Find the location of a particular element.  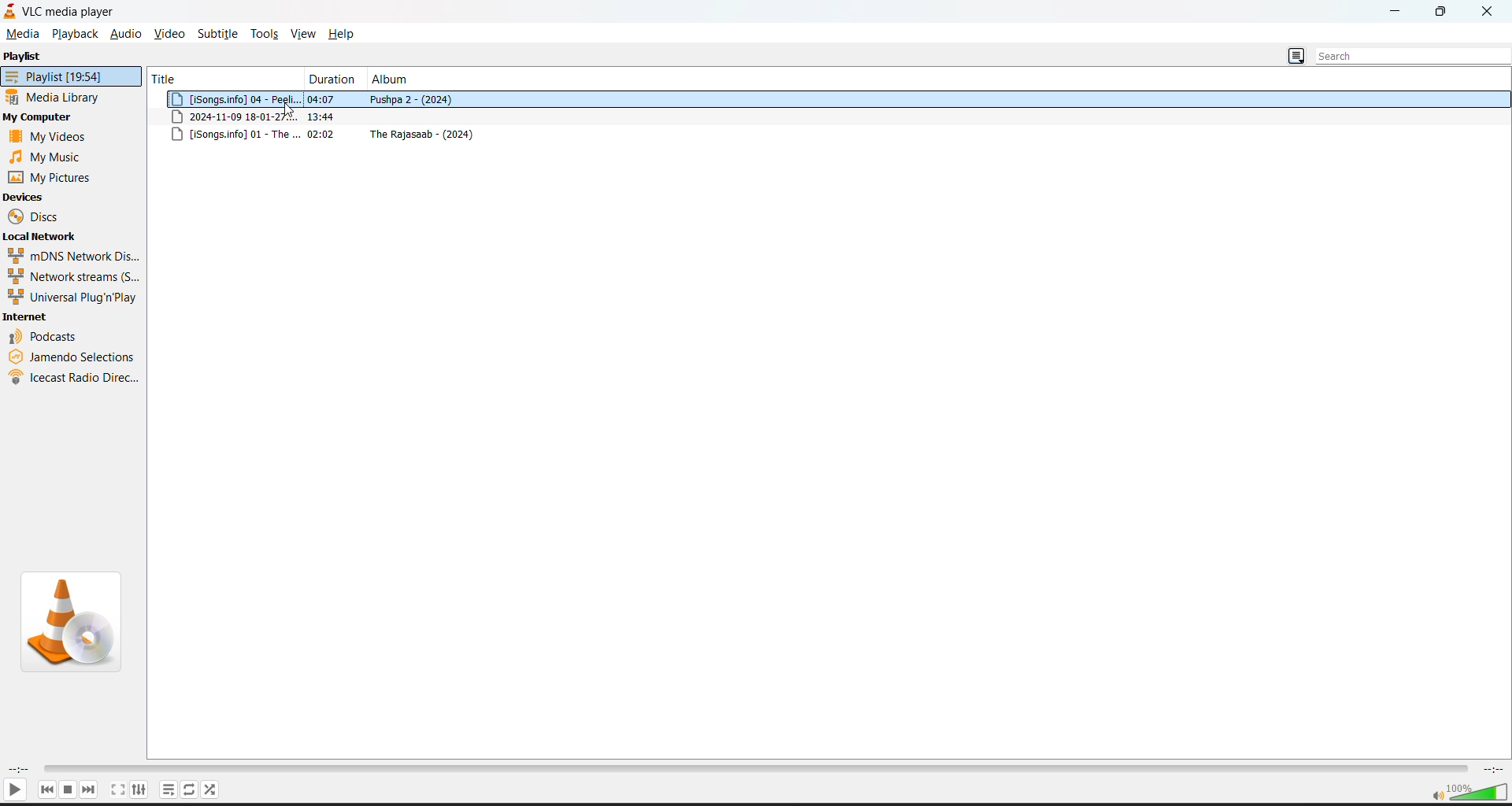

song is located at coordinates (831, 136).